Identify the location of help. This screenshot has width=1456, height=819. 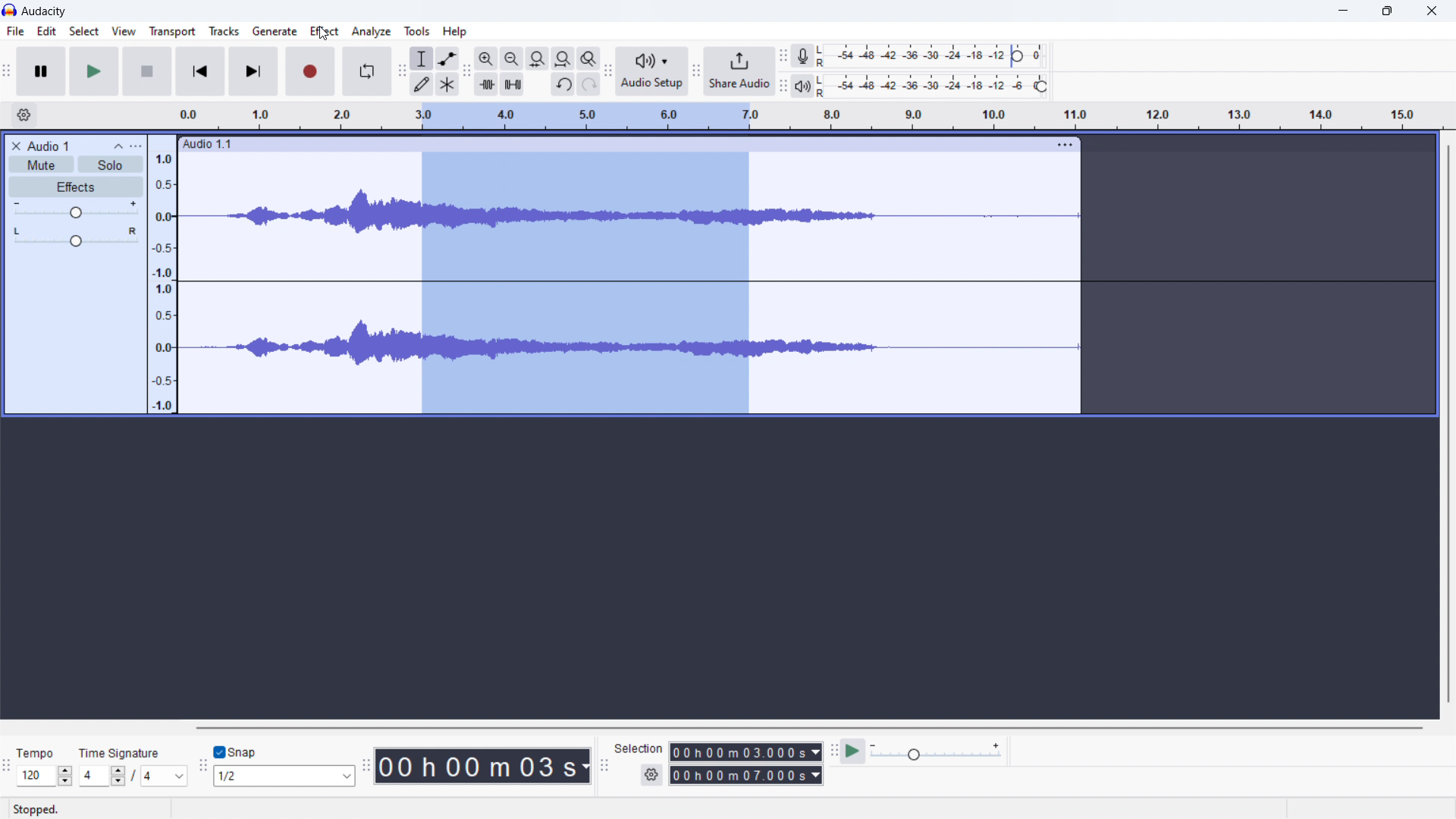
(453, 32).